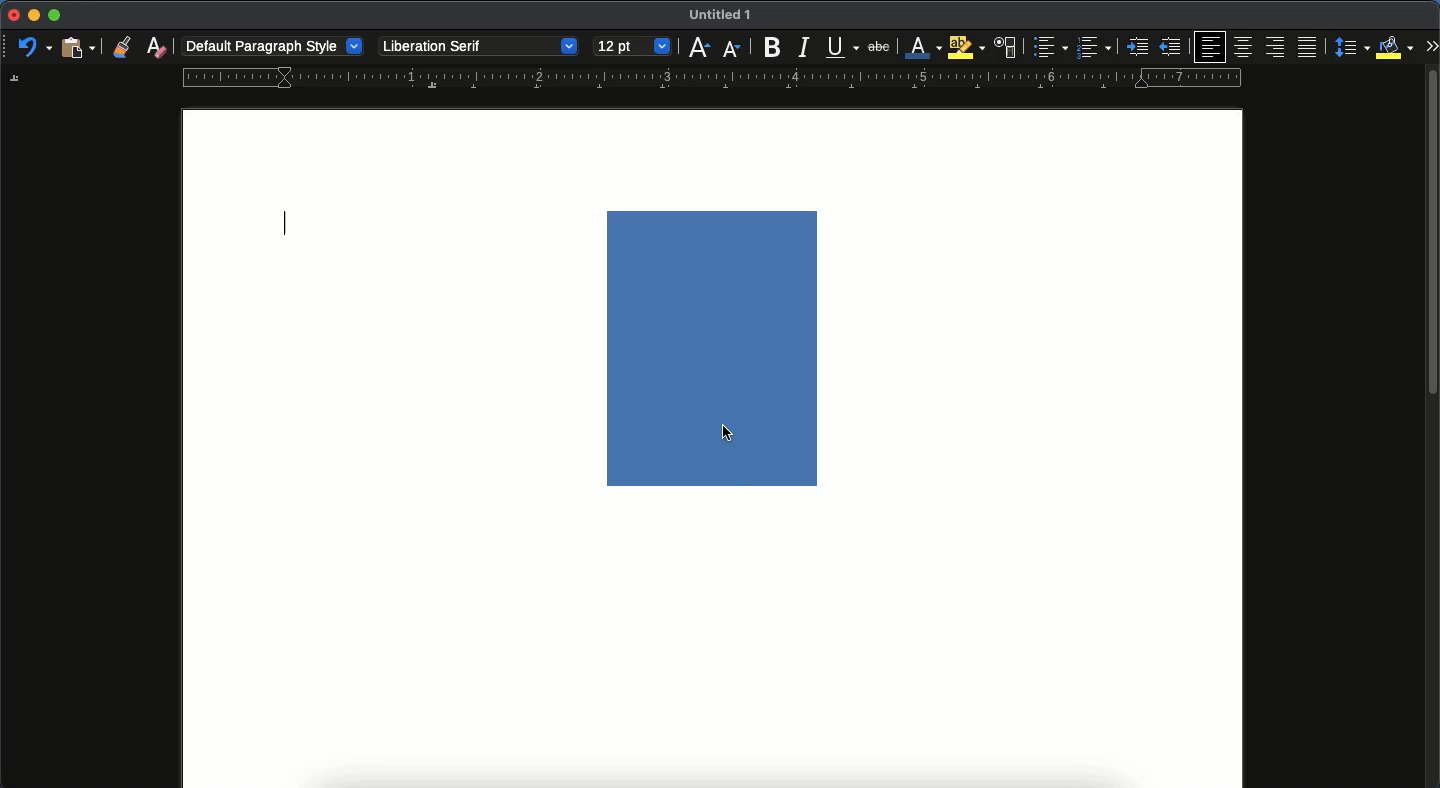 Image resolution: width=1440 pixels, height=788 pixels. What do you see at coordinates (1431, 425) in the screenshot?
I see `scroll` at bounding box center [1431, 425].